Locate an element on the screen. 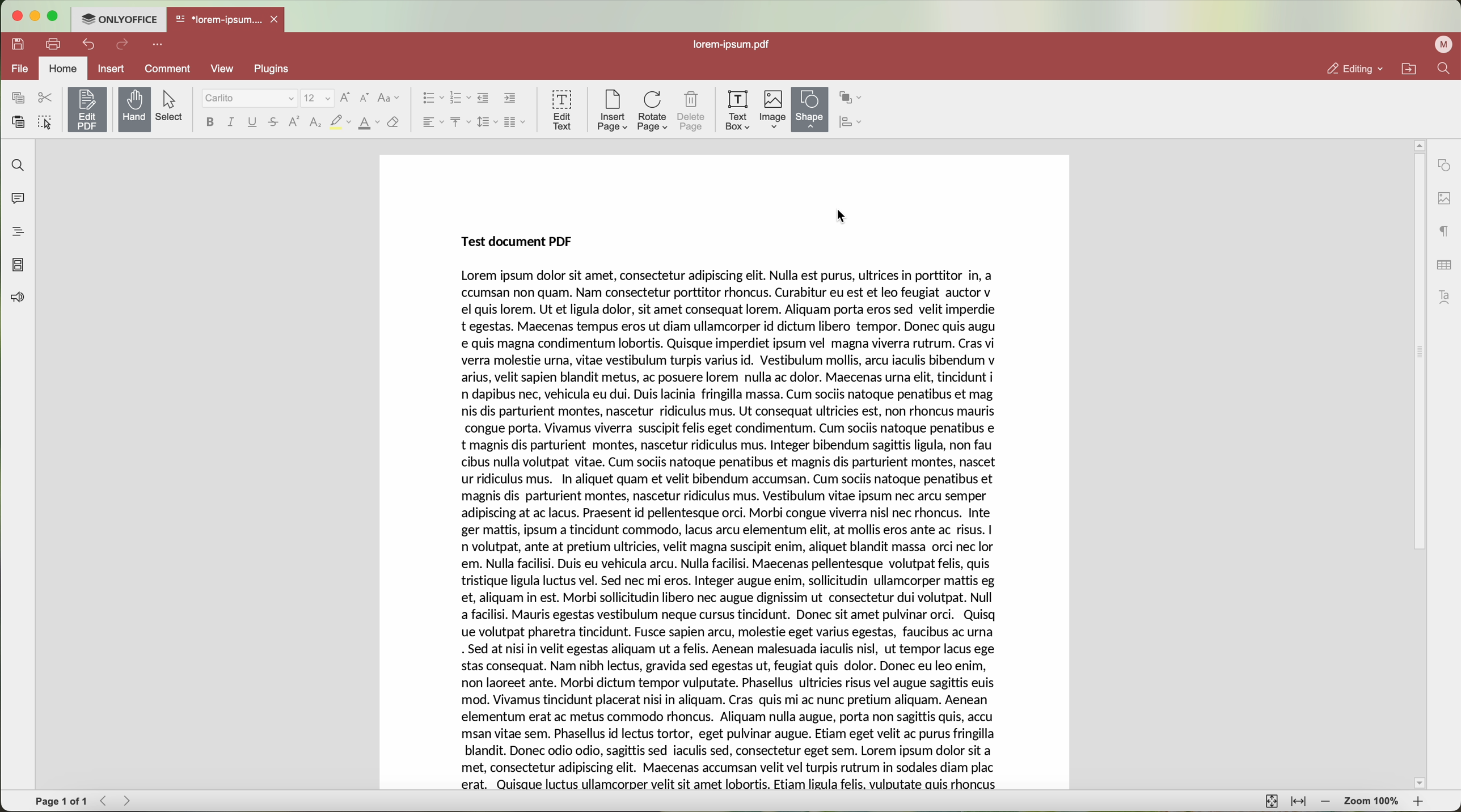 Image resolution: width=1461 pixels, height=812 pixels. feedback and support is located at coordinates (18, 298).